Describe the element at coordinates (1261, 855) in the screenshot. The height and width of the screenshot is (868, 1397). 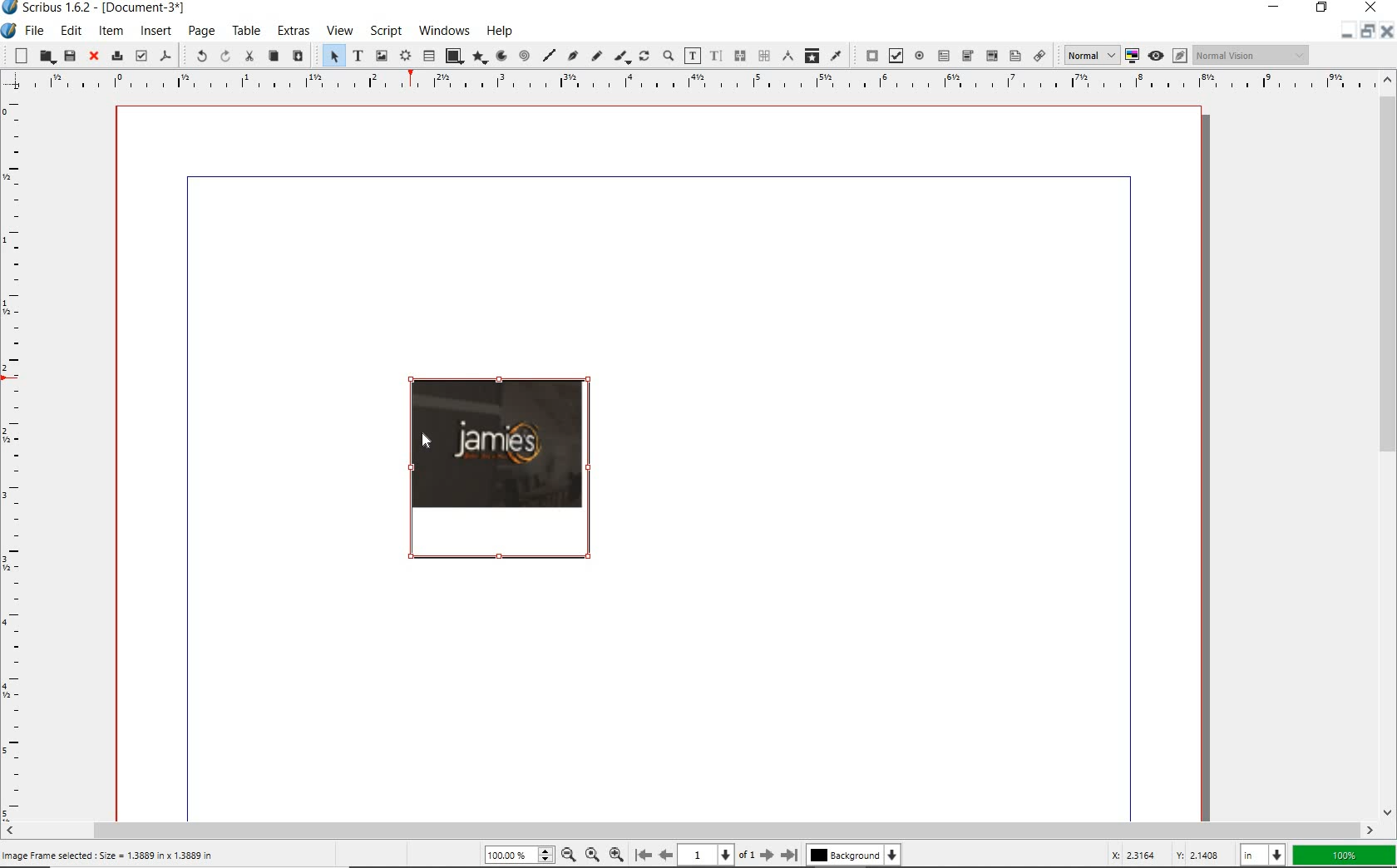
I see `select unit` at that location.